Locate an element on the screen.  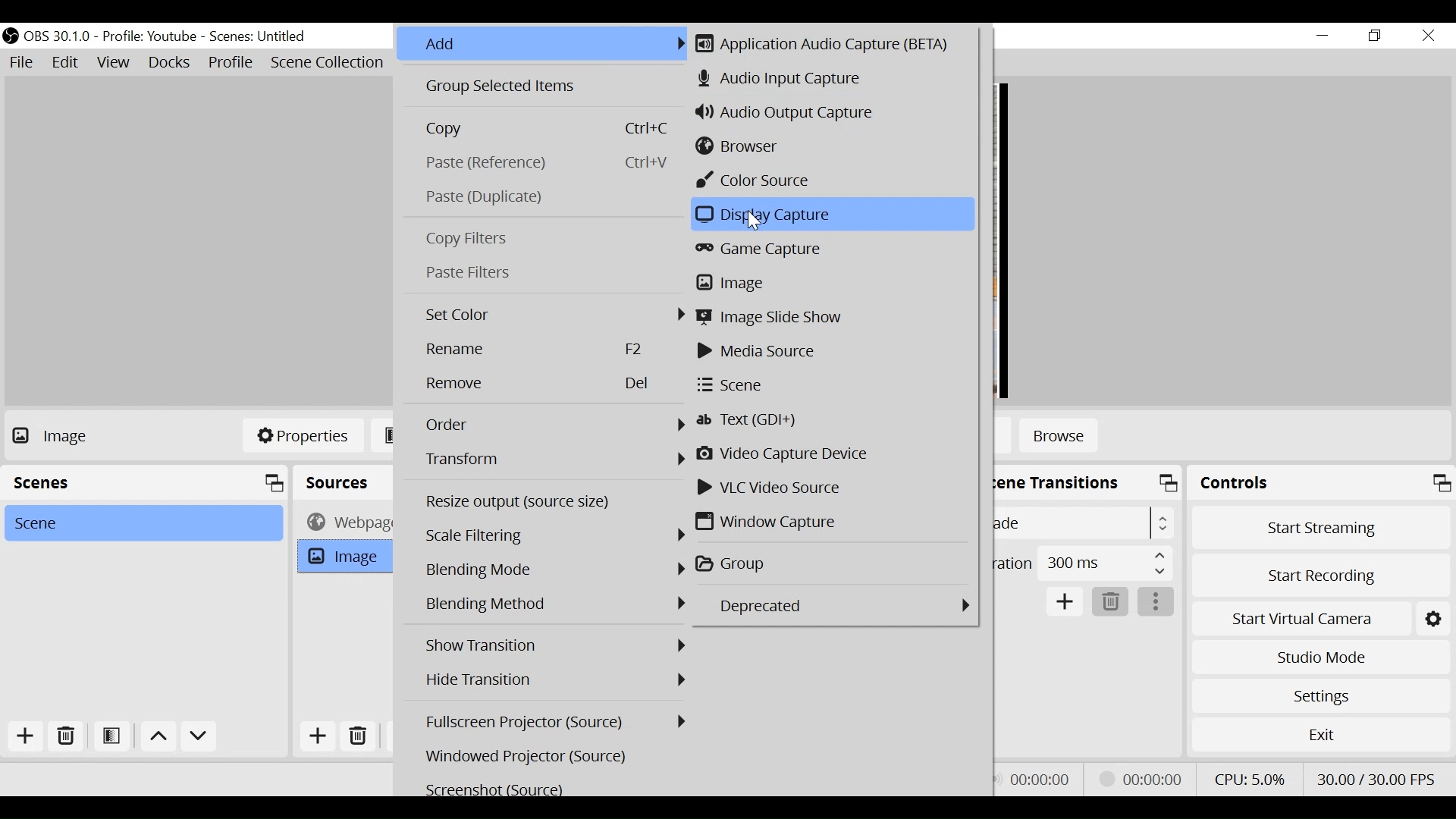
Exit is located at coordinates (1320, 734).